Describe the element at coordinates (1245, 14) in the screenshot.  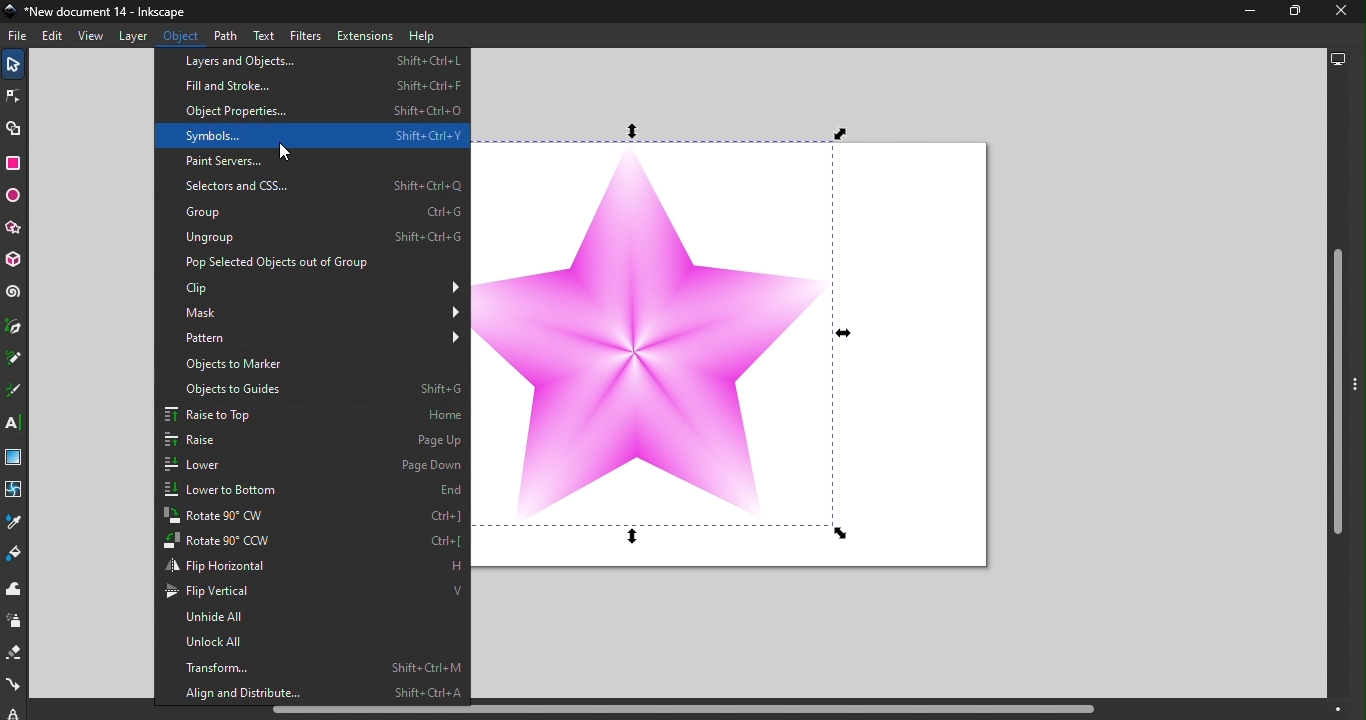
I see `Minimize` at that location.